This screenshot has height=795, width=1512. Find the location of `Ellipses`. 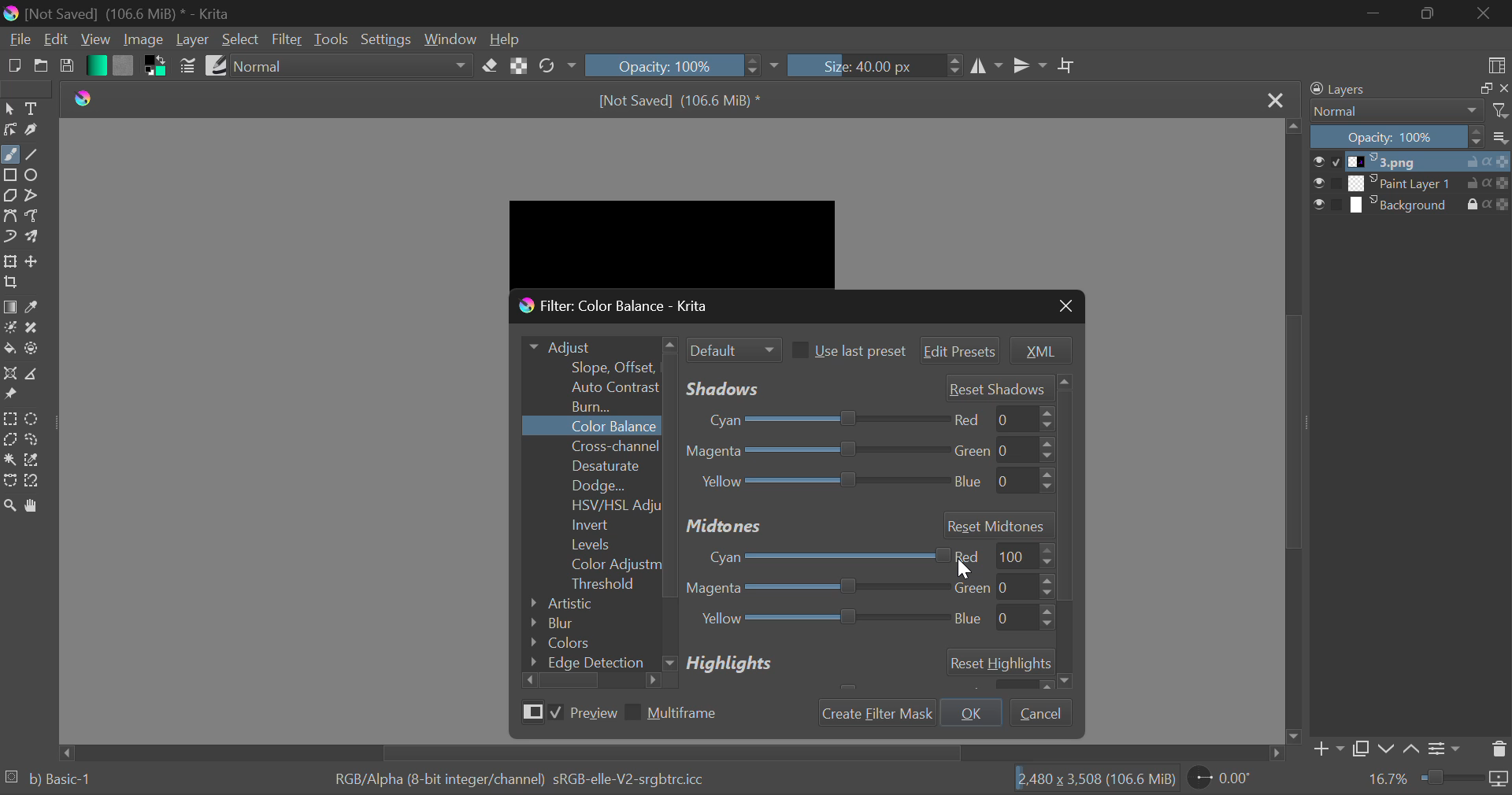

Ellipses is located at coordinates (35, 176).